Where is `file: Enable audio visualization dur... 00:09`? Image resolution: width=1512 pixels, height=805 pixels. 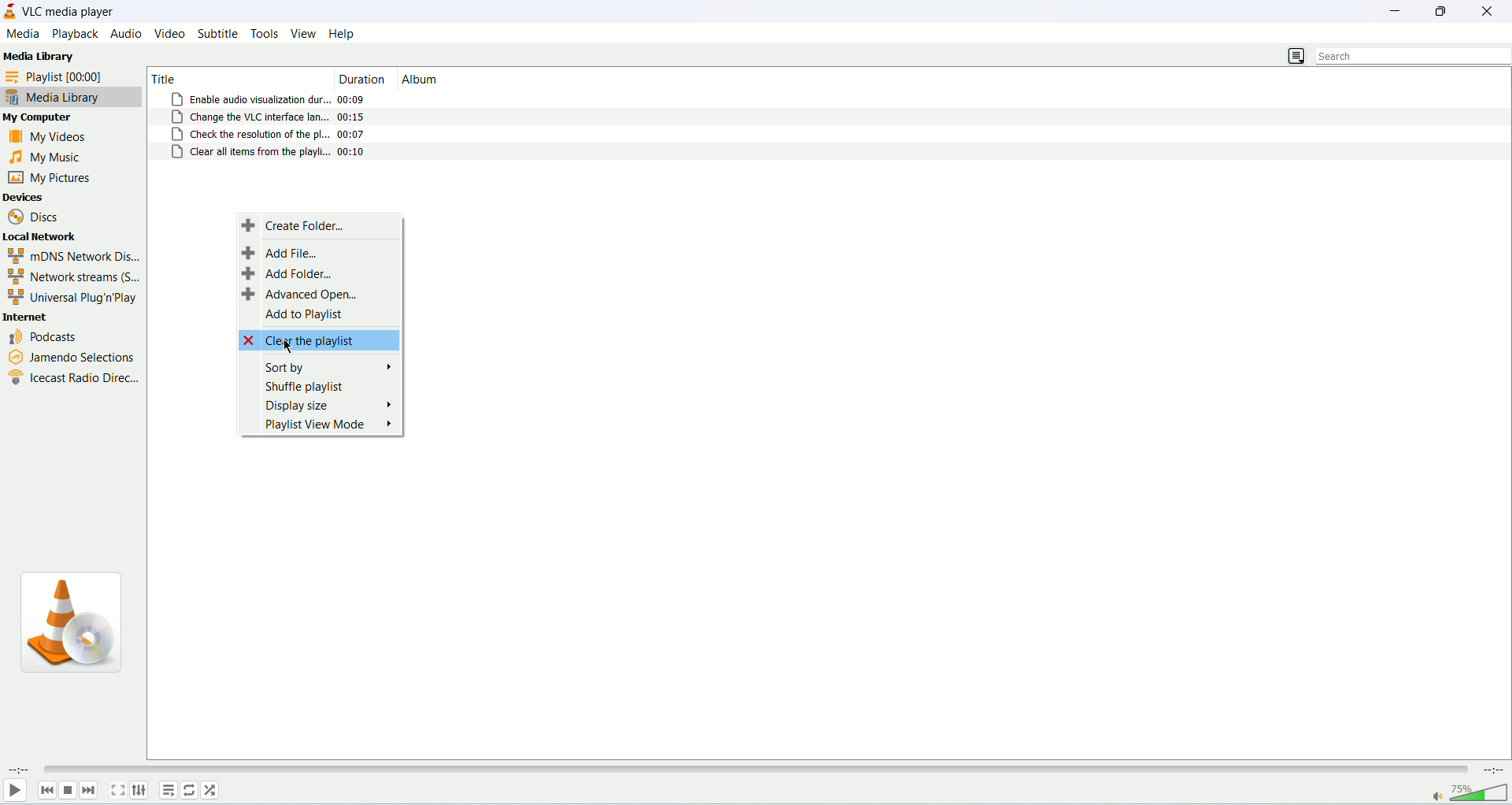 file: Enable audio visualization dur... 00:09 is located at coordinates (268, 99).